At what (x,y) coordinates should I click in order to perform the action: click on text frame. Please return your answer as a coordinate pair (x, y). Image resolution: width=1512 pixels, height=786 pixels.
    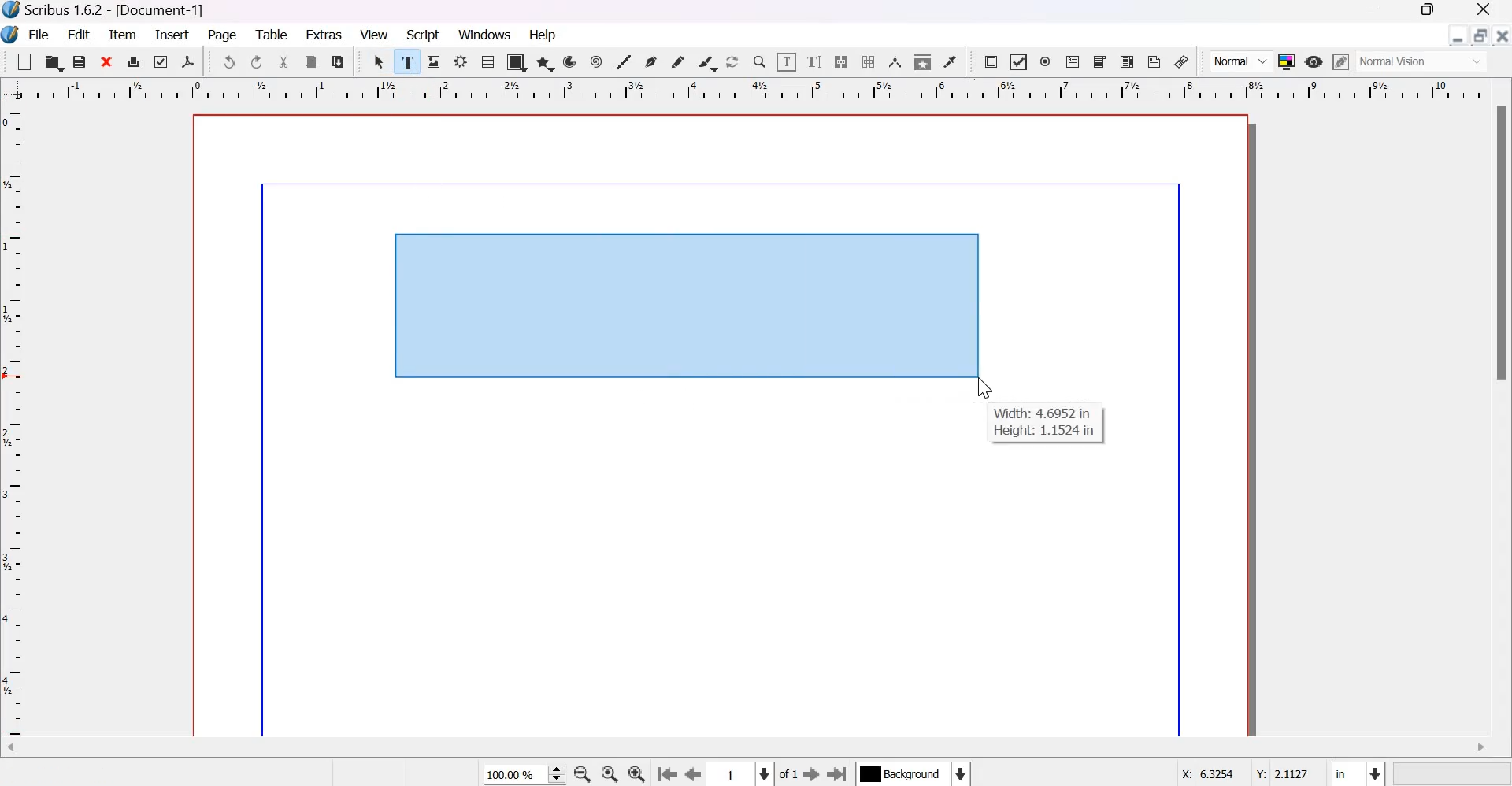
    Looking at the image, I should click on (408, 59).